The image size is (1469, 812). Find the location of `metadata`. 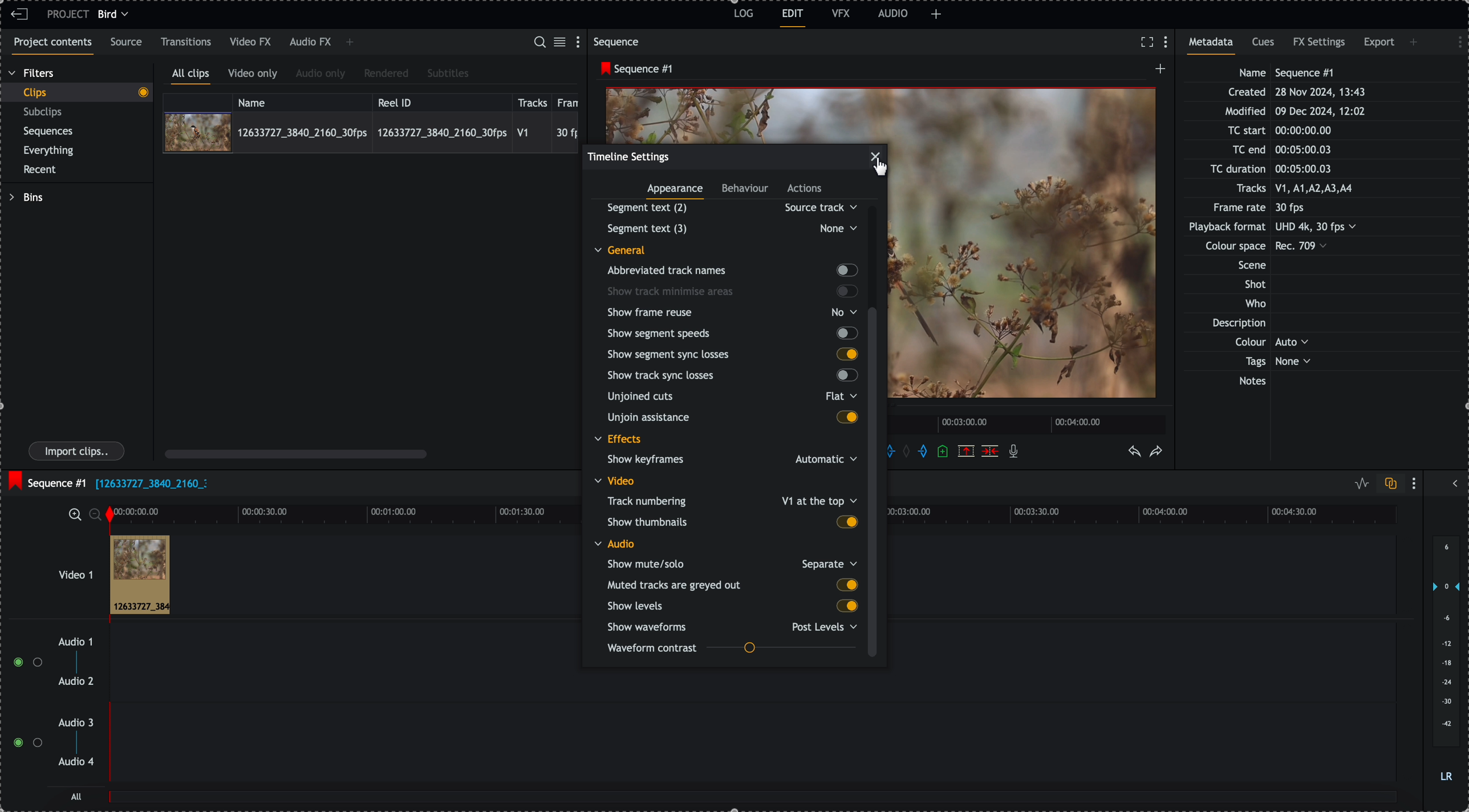

metadata is located at coordinates (1215, 46).